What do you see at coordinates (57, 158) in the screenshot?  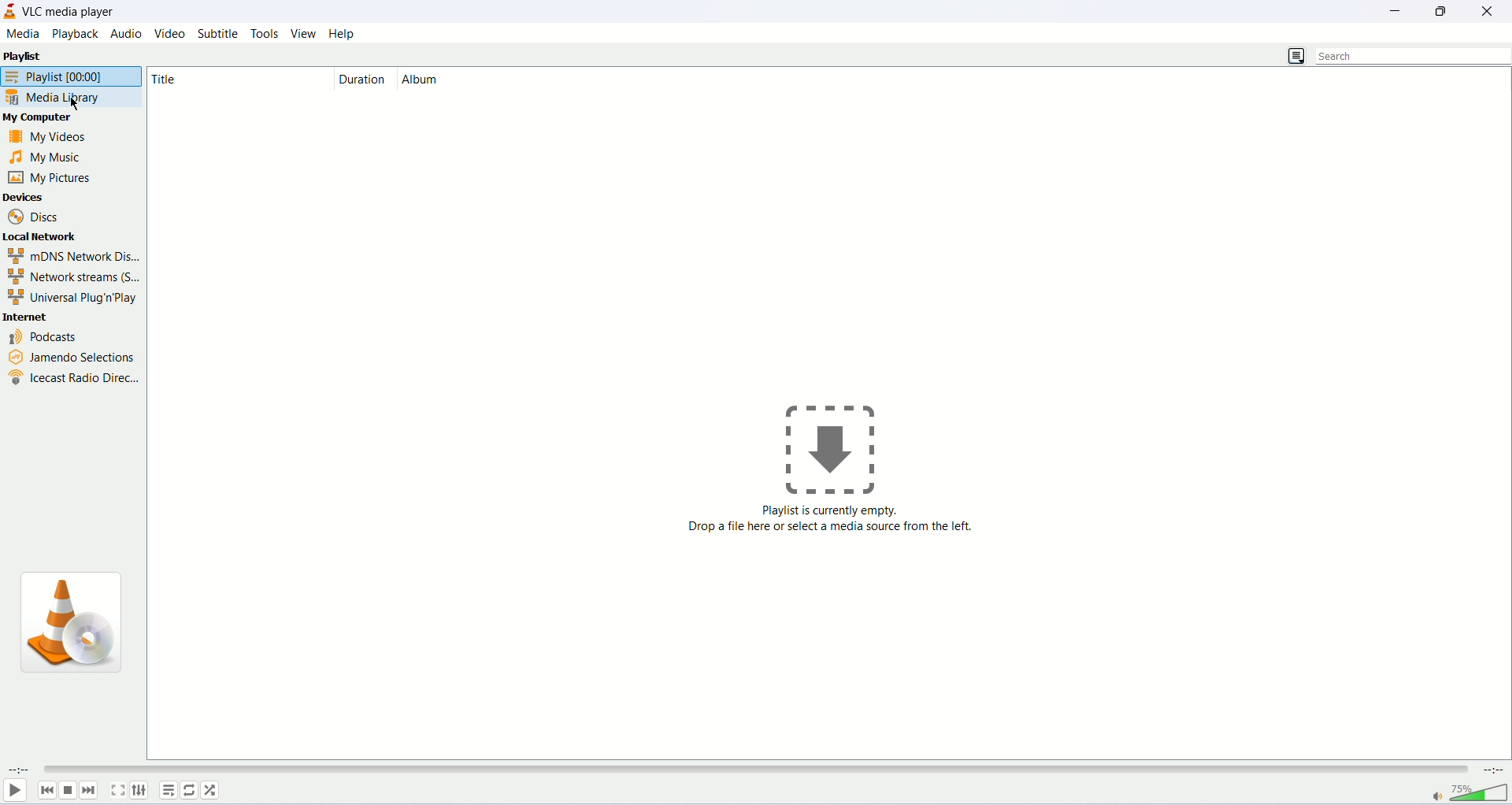 I see `my music` at bounding box center [57, 158].